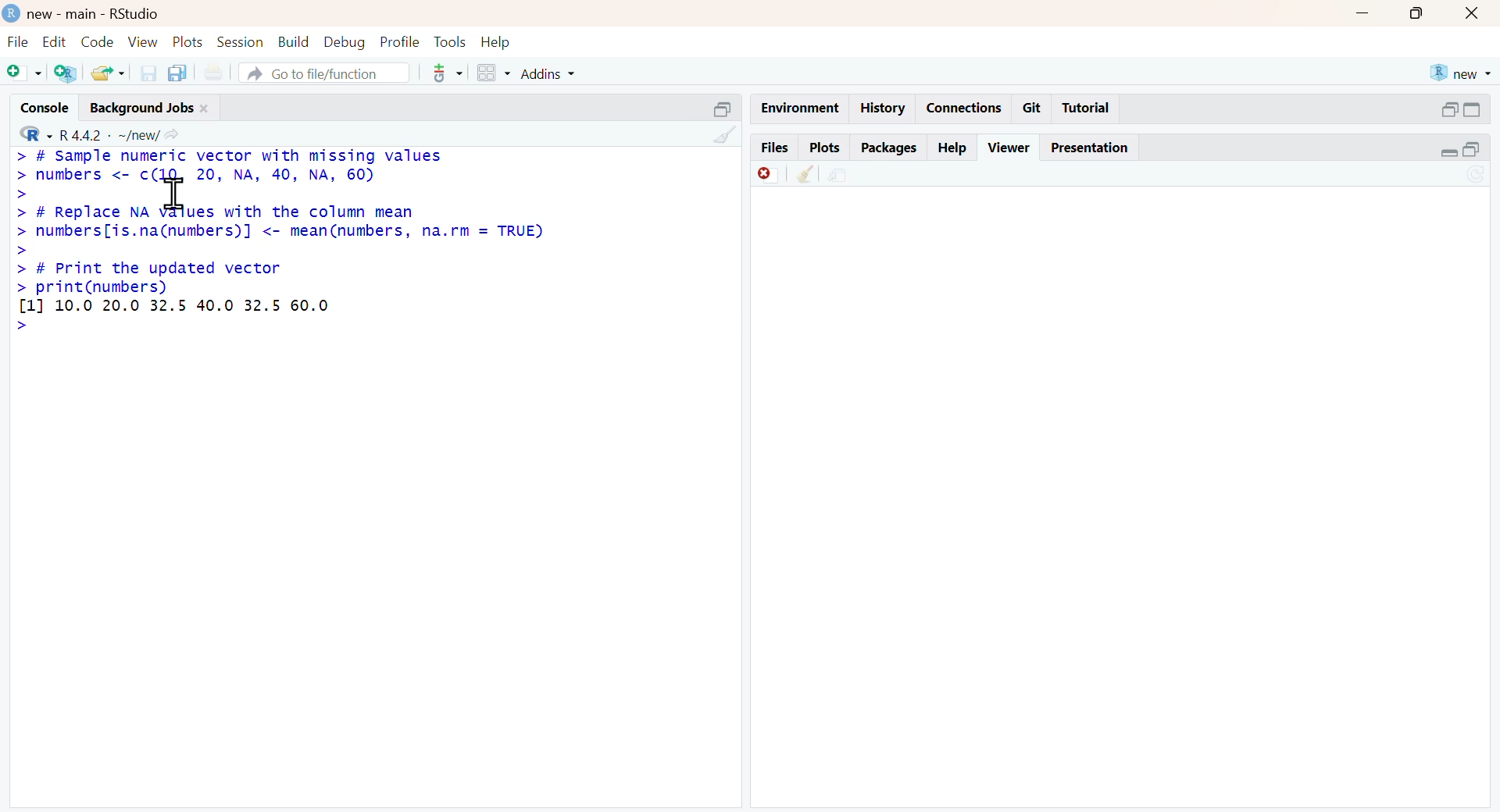 The height and width of the screenshot is (812, 1500). Describe the element at coordinates (726, 136) in the screenshot. I see `clean` at that location.